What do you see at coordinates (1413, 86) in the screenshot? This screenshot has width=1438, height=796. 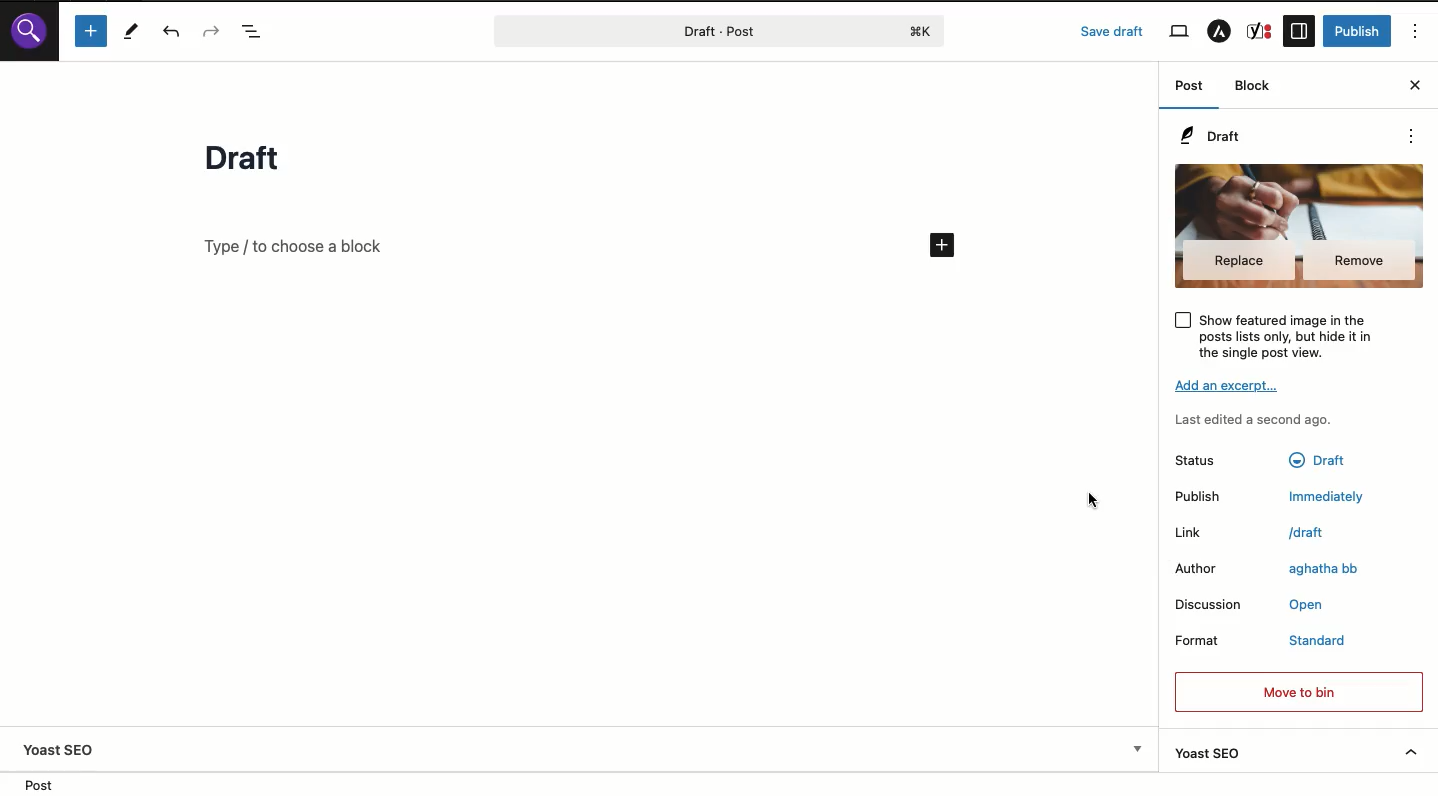 I see `Close` at bounding box center [1413, 86].